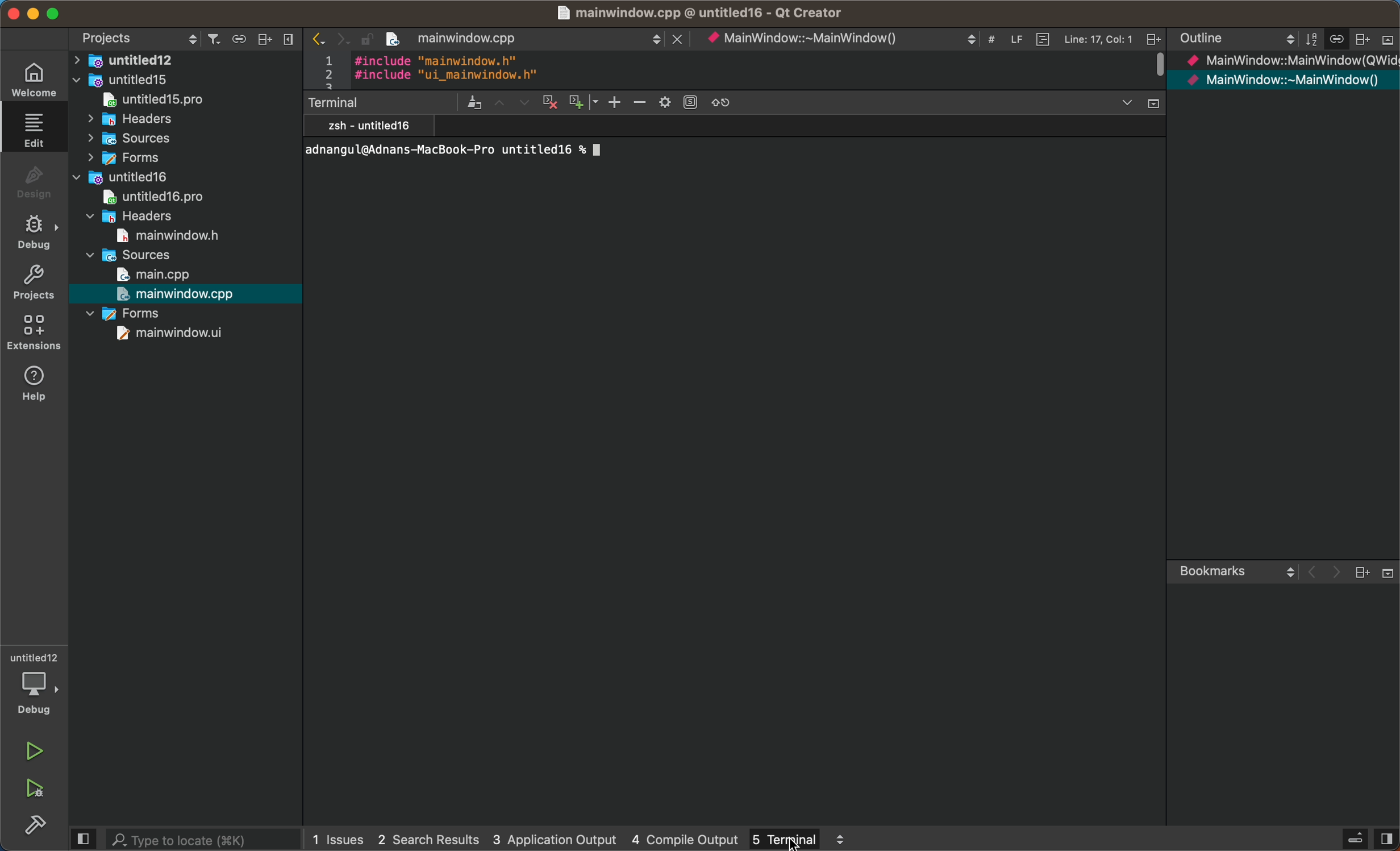 This screenshot has height=851, width=1400. I want to click on files and folders, so click(189, 60).